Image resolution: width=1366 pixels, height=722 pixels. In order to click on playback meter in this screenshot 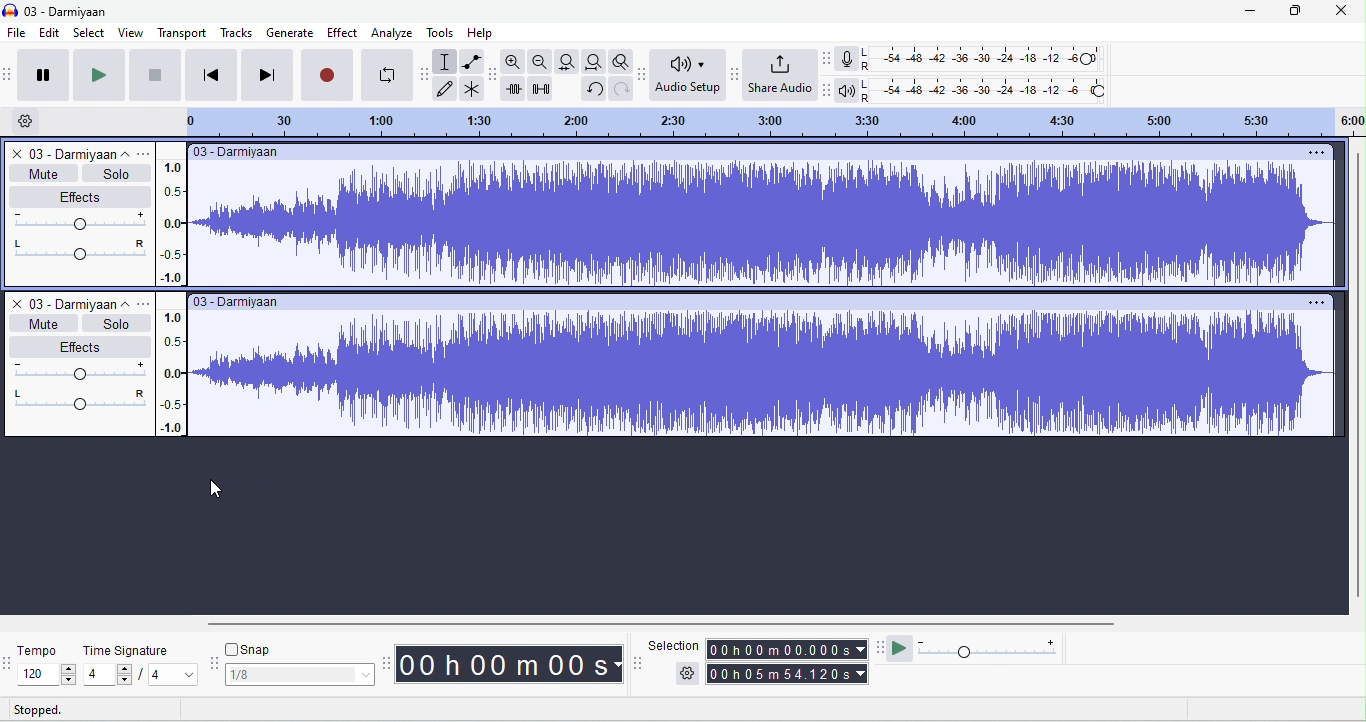, I will do `click(846, 90)`.